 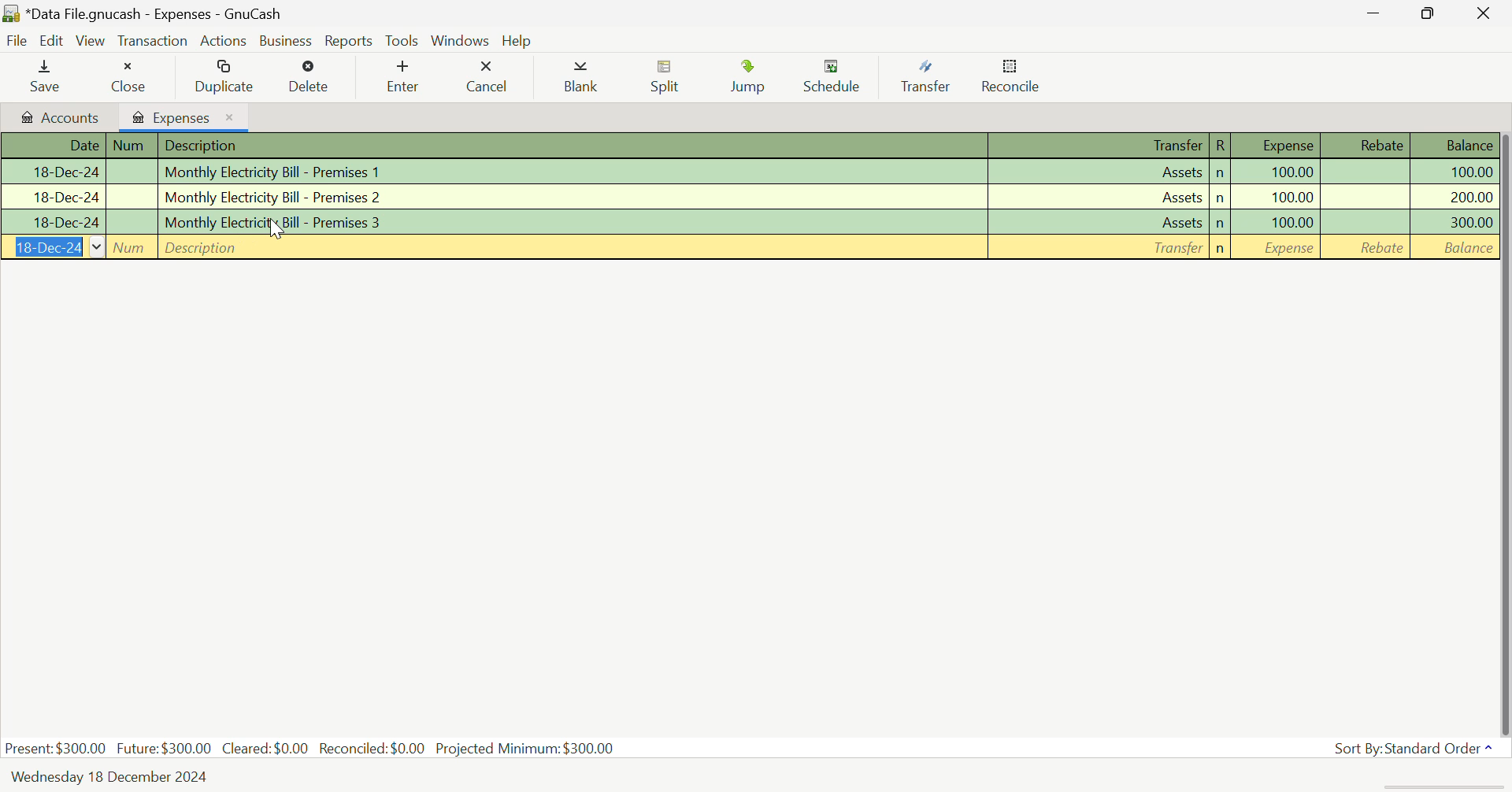 What do you see at coordinates (225, 40) in the screenshot?
I see `Actions` at bounding box center [225, 40].